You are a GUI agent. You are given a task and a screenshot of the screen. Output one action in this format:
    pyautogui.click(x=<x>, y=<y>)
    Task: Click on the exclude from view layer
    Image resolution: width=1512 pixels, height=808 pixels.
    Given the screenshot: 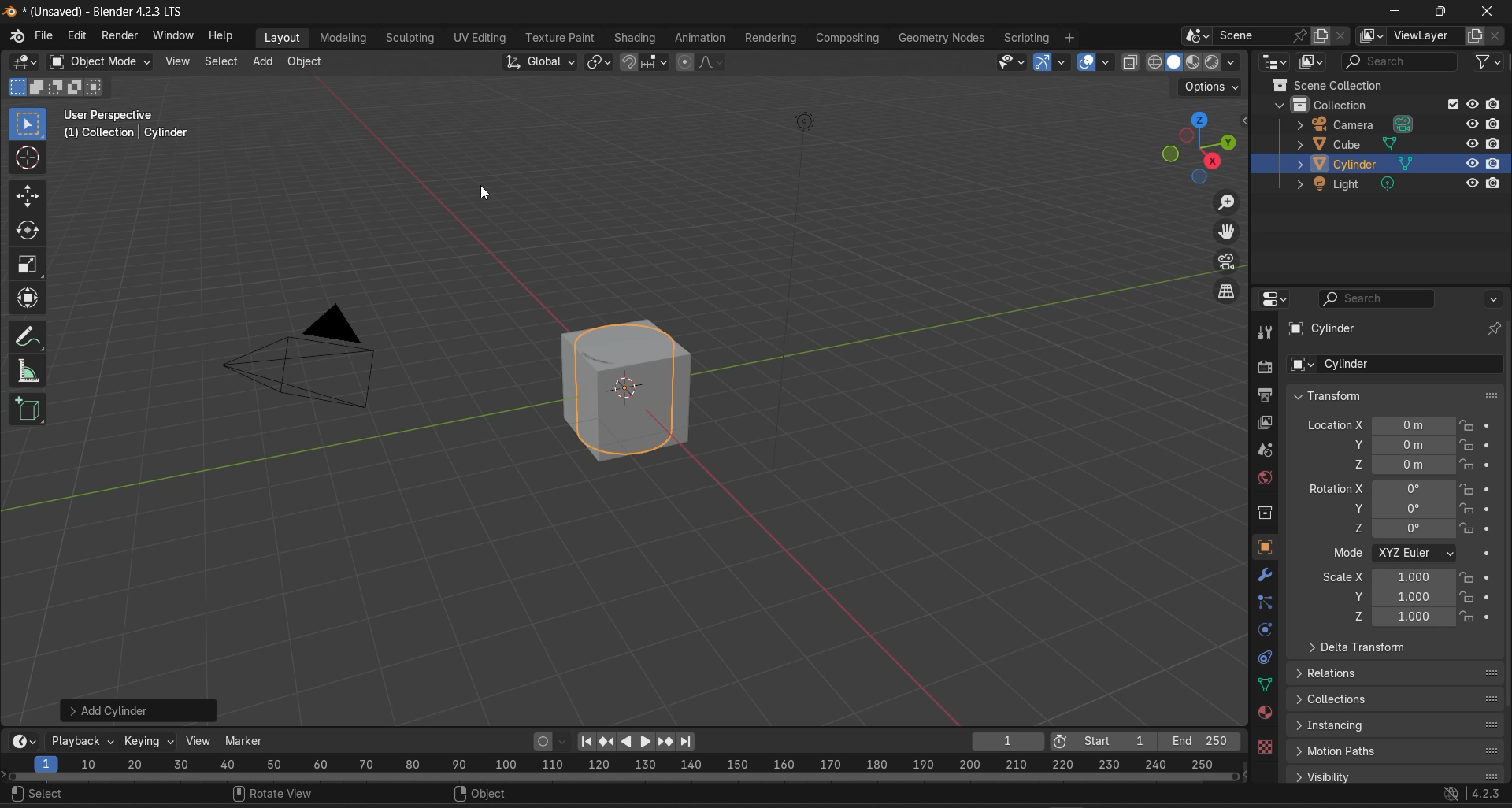 What is the action you would take?
    pyautogui.click(x=1452, y=105)
    